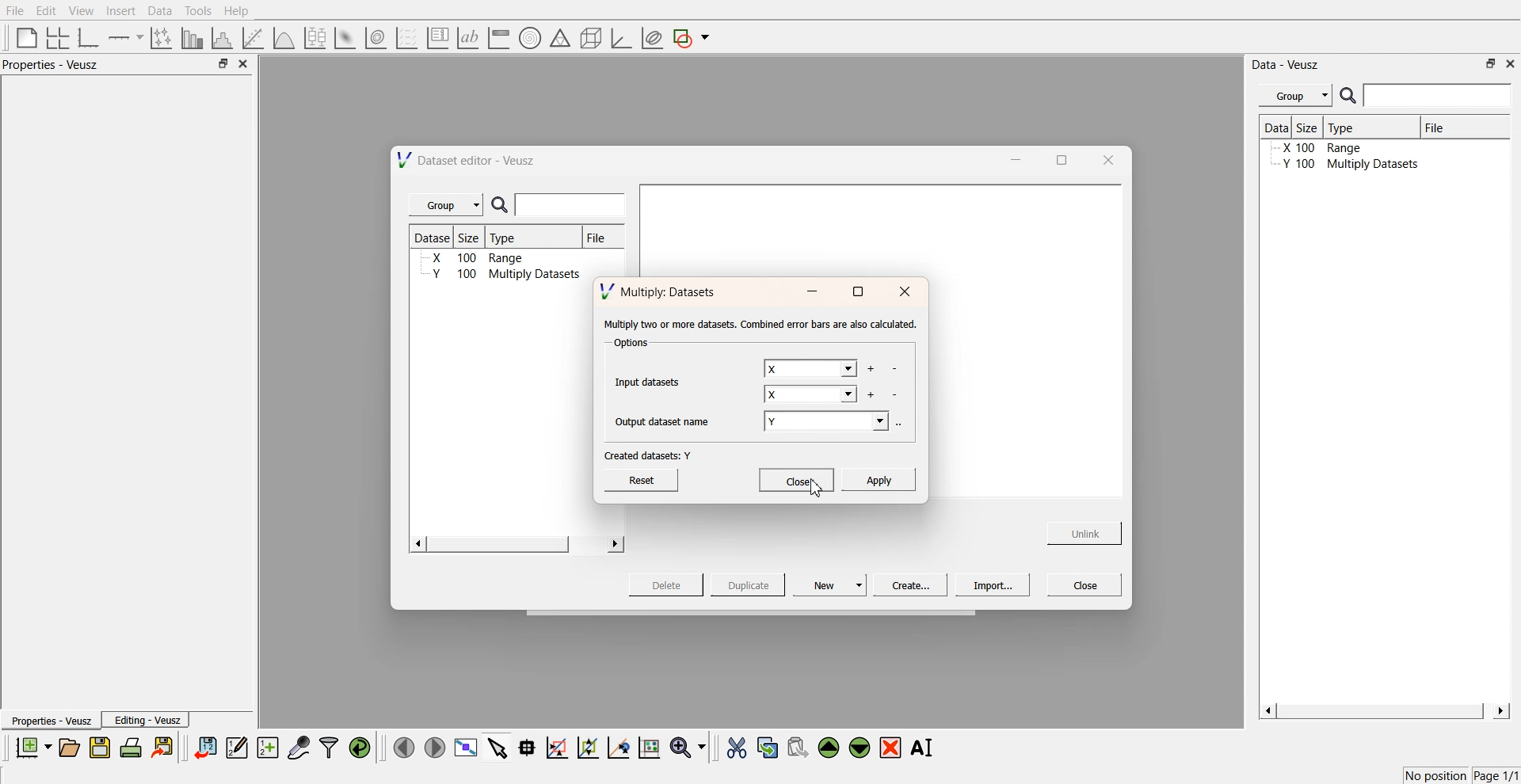 This screenshot has height=784, width=1521. What do you see at coordinates (894, 370) in the screenshot?
I see `delete datasets` at bounding box center [894, 370].